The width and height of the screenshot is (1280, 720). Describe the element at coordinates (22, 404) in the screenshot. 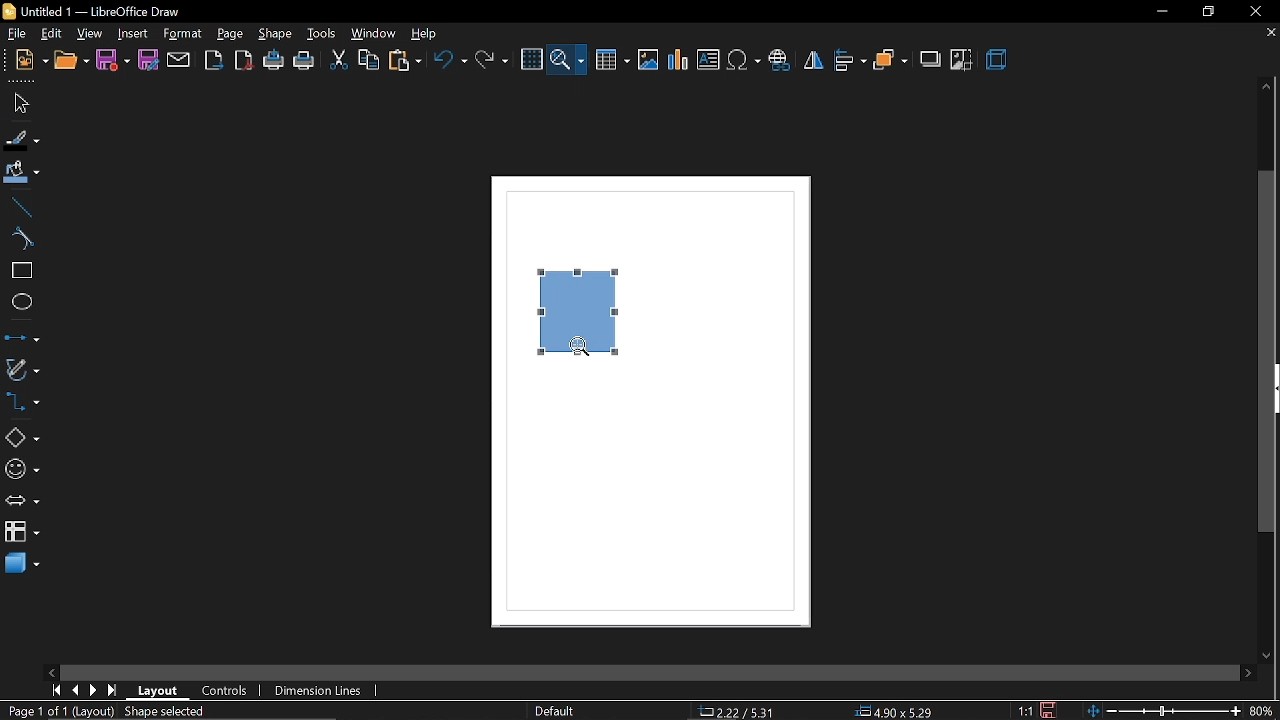

I see `connectors` at that location.